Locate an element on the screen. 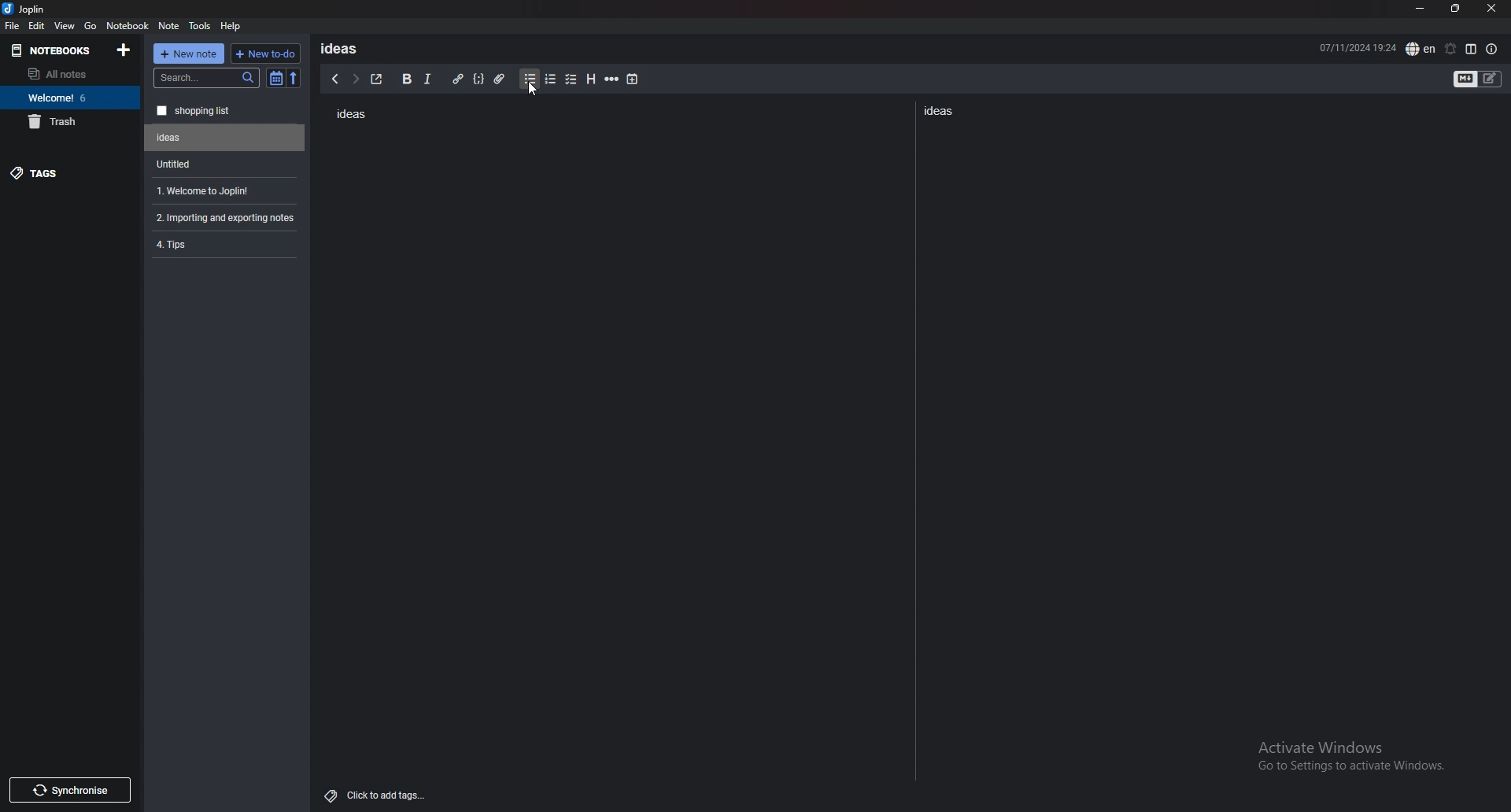 The width and height of the screenshot is (1511, 812). note properties is located at coordinates (1492, 50).